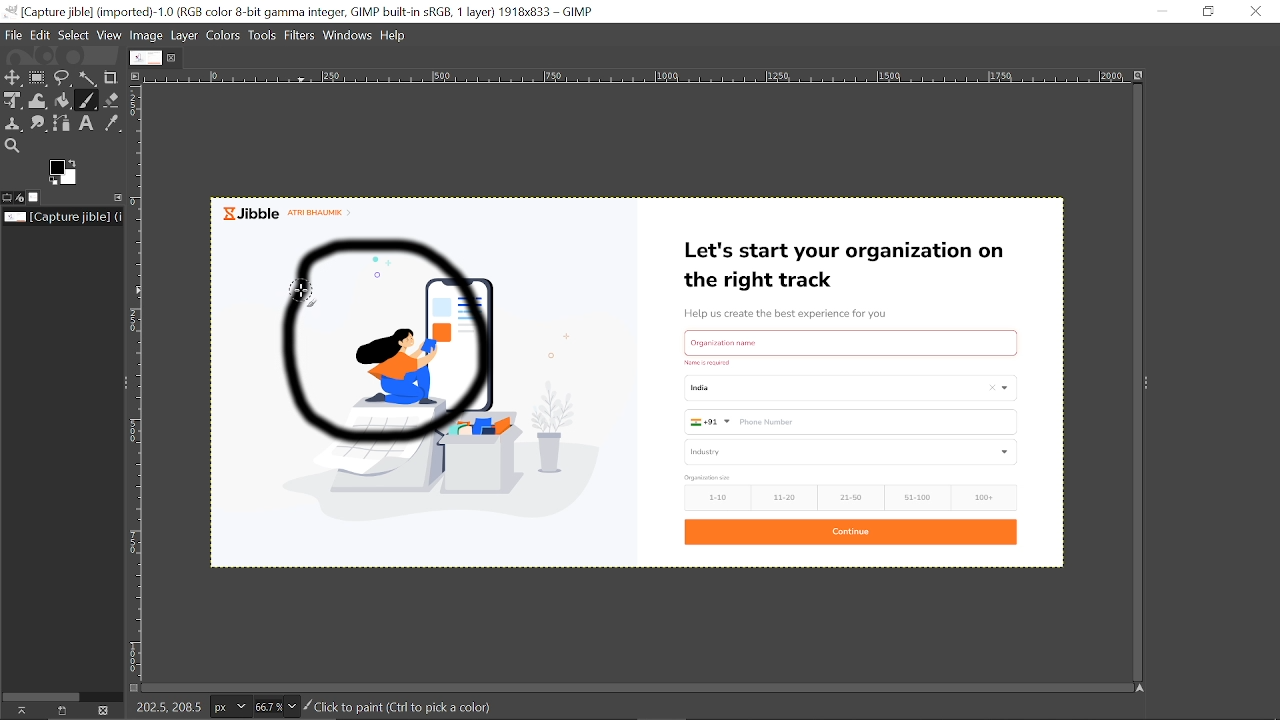 The height and width of the screenshot is (720, 1280). I want to click on File, so click(16, 35).